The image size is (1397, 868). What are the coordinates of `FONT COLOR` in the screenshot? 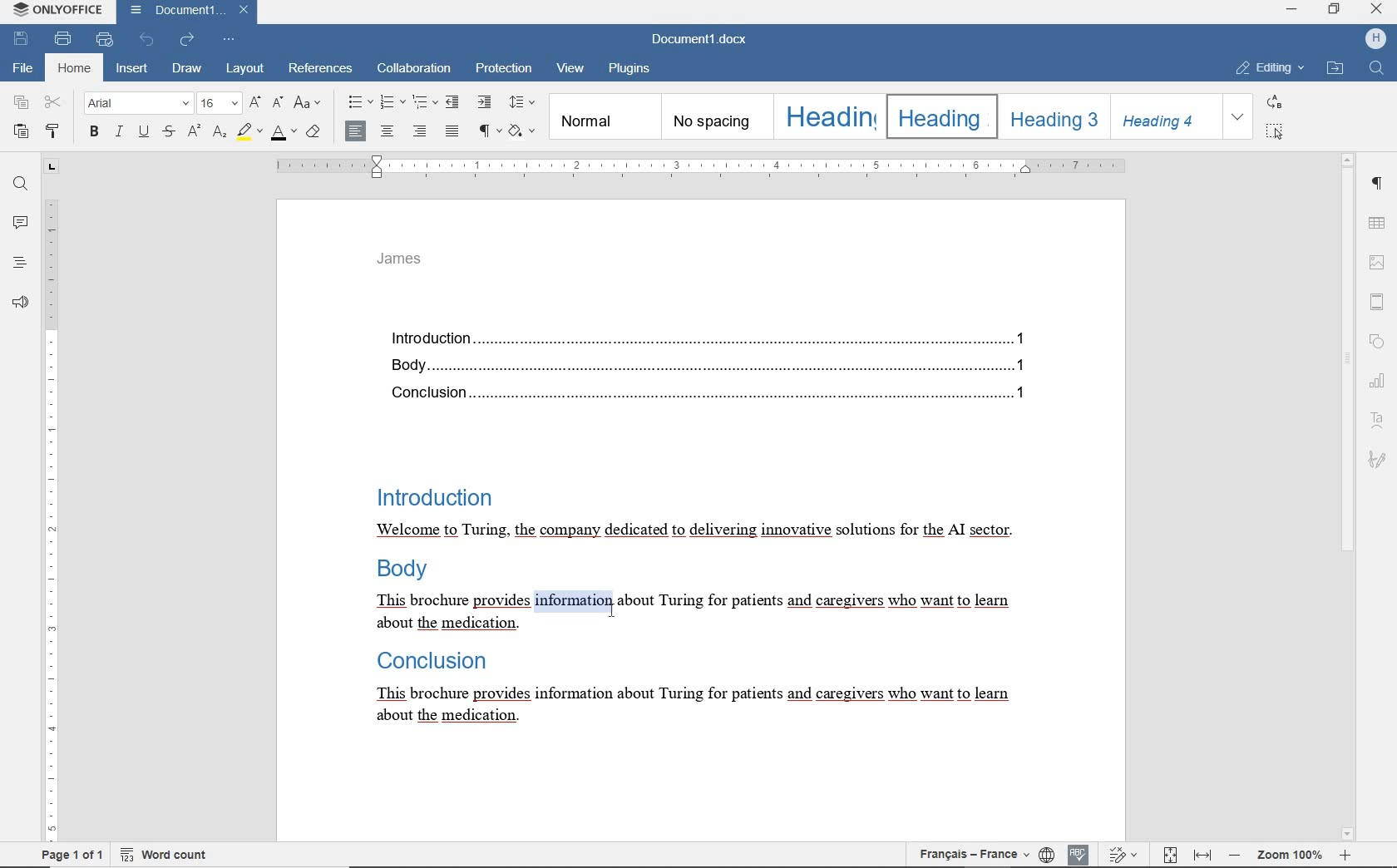 It's located at (284, 136).